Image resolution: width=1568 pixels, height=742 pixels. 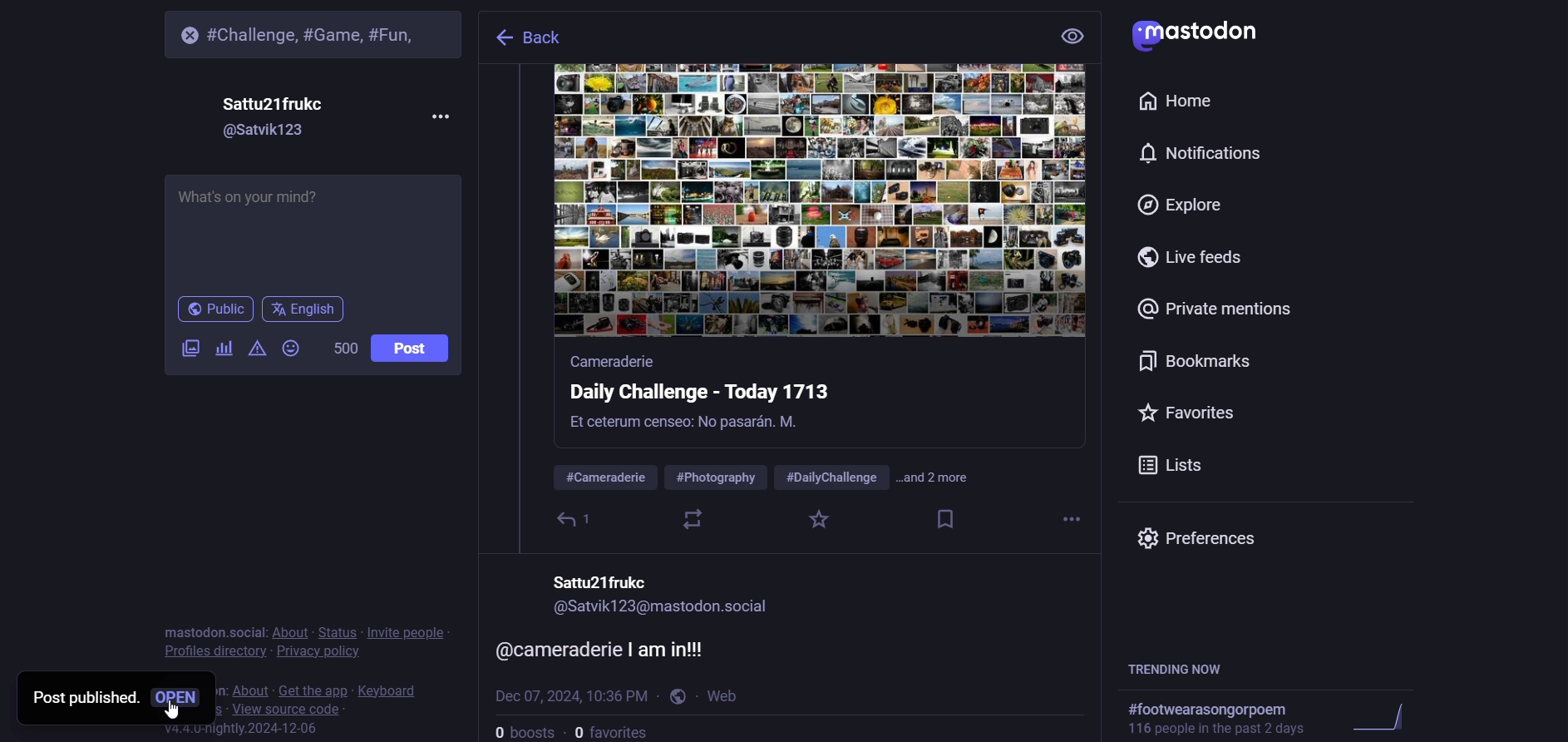 What do you see at coordinates (812, 204) in the screenshot?
I see `post image` at bounding box center [812, 204].